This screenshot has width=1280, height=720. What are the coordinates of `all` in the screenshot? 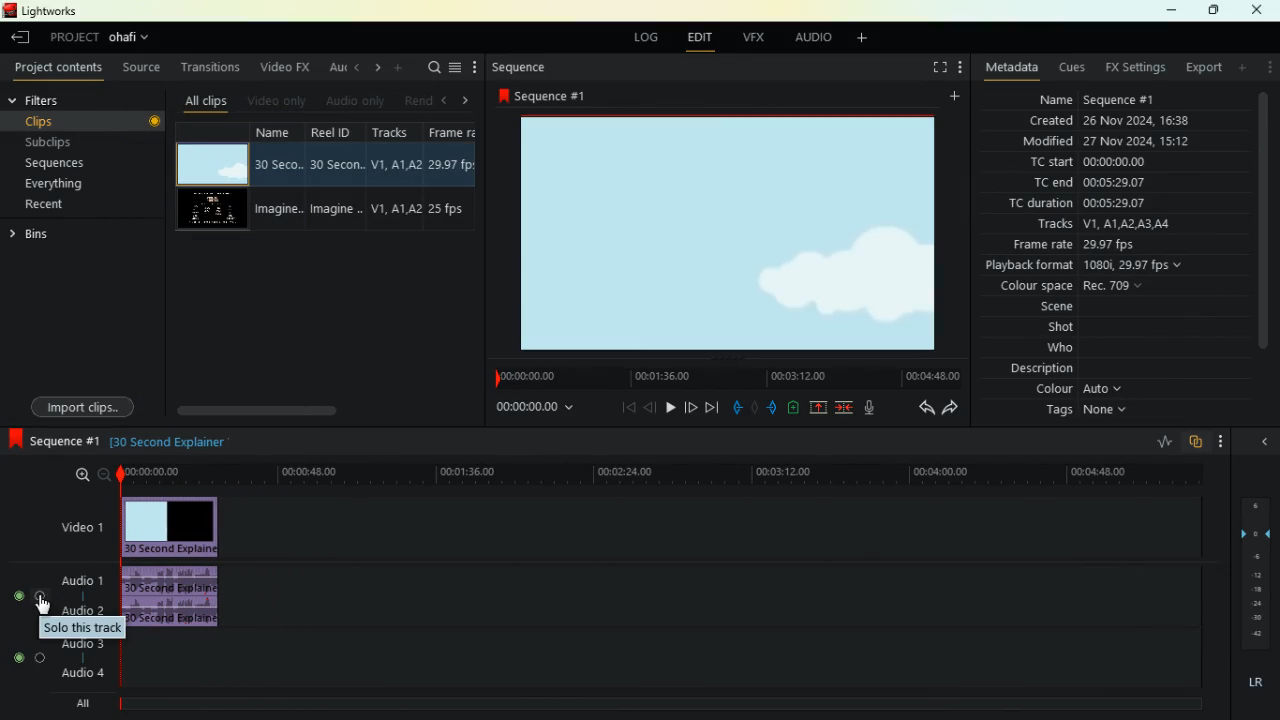 It's located at (78, 704).